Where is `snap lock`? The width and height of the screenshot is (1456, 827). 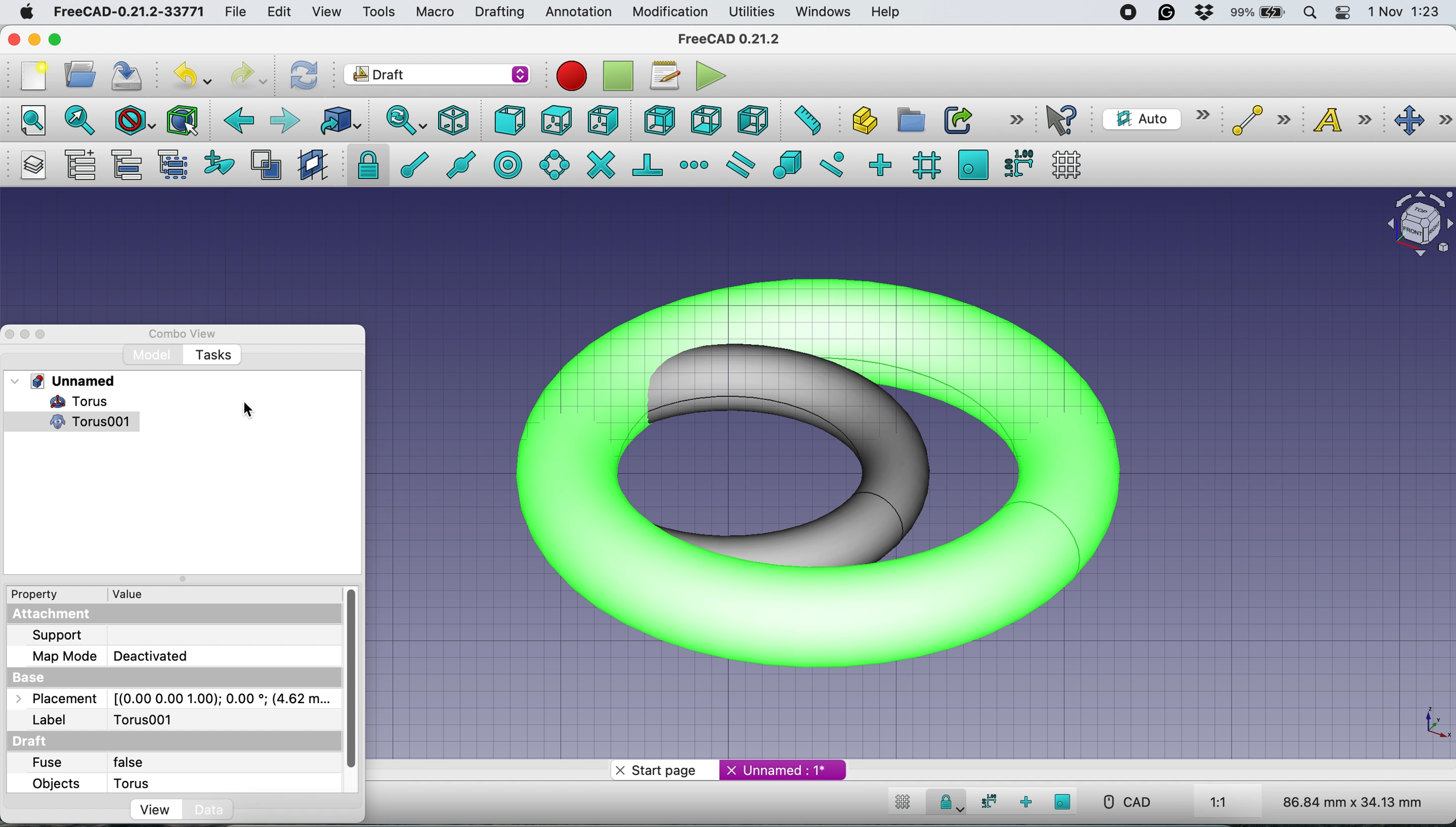
snap lock is located at coordinates (363, 165).